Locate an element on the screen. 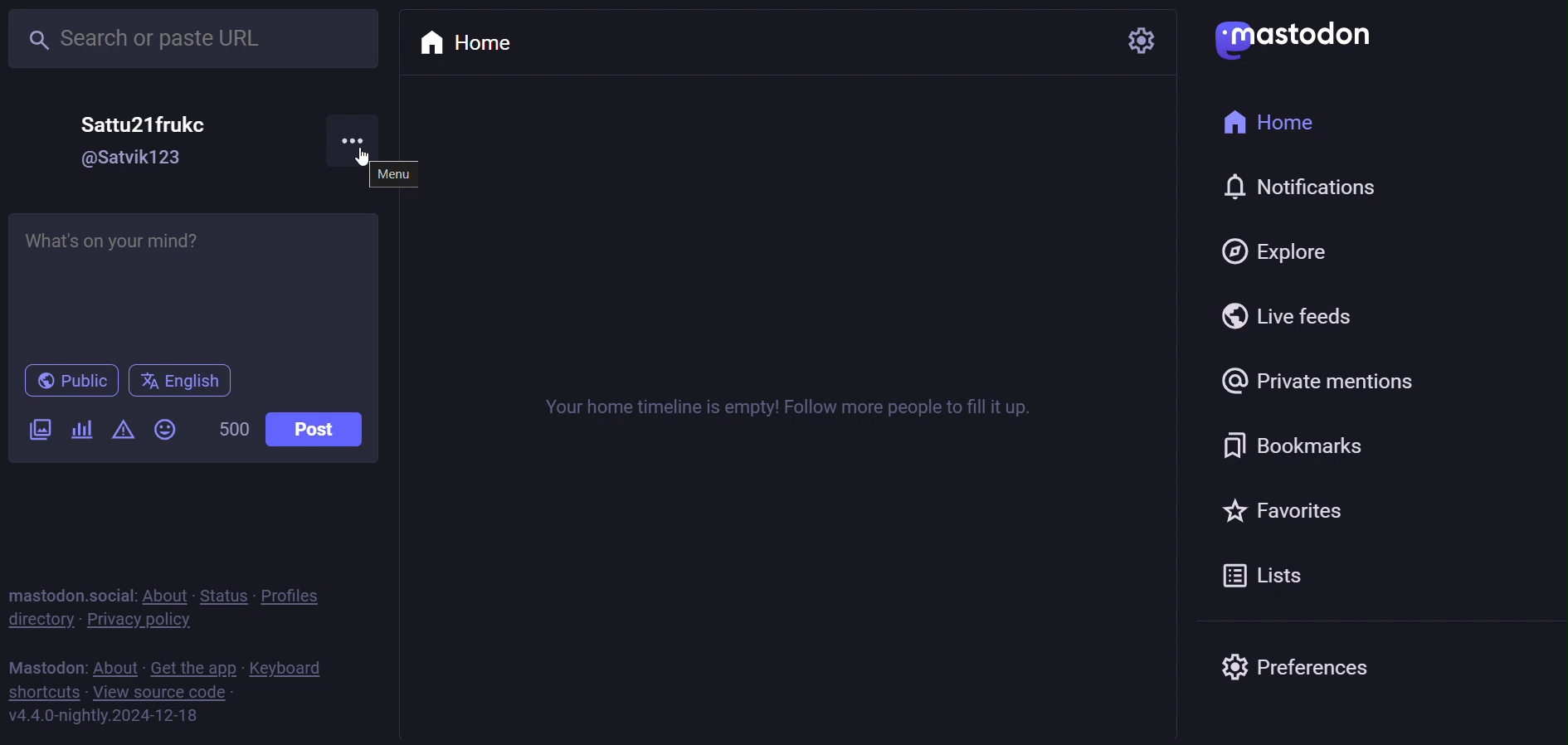 This screenshot has height=745, width=1568. view source code is located at coordinates (166, 692).